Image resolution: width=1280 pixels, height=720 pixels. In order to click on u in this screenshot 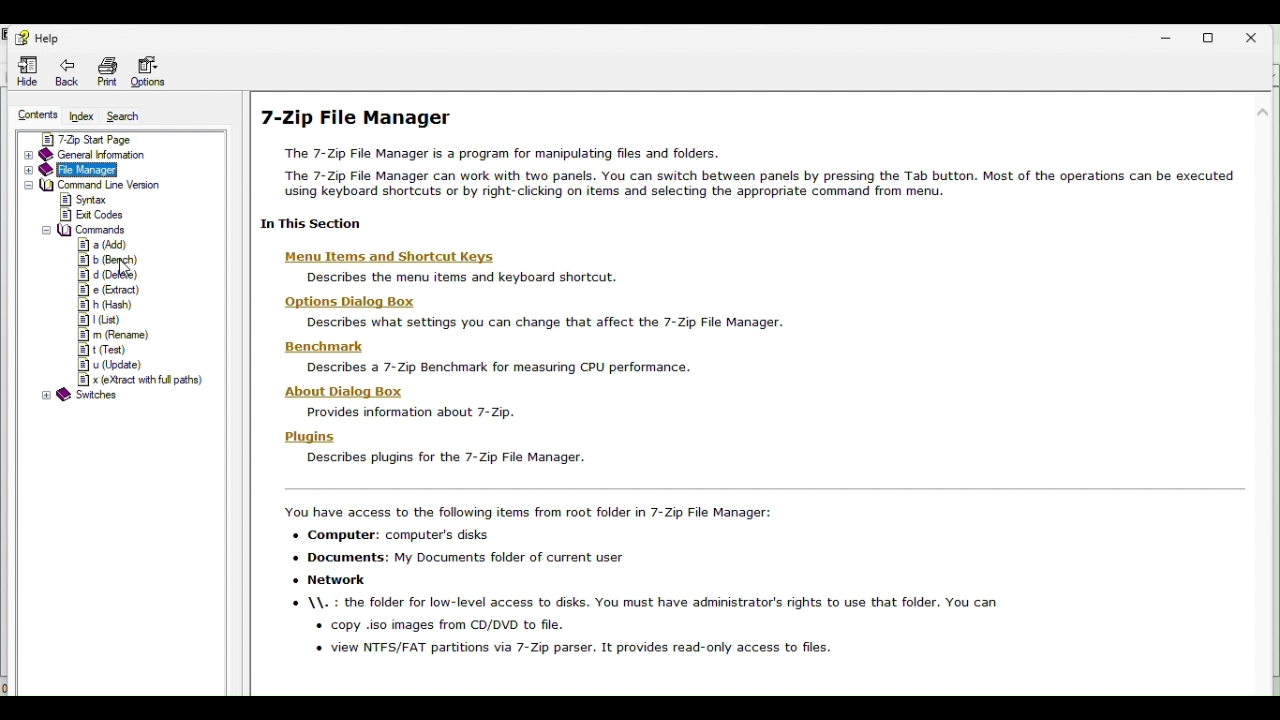, I will do `click(117, 365)`.